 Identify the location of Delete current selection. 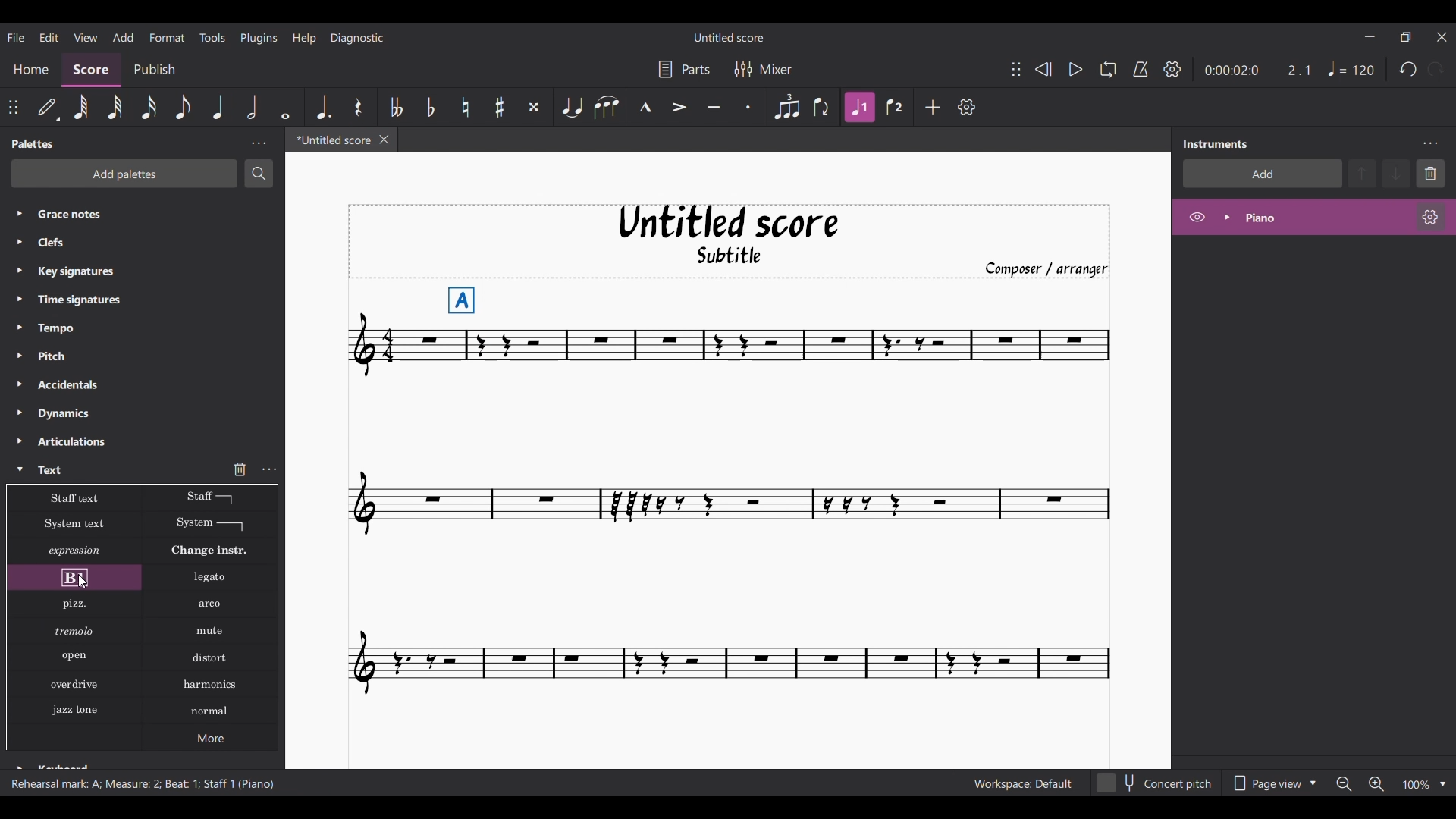
(240, 469).